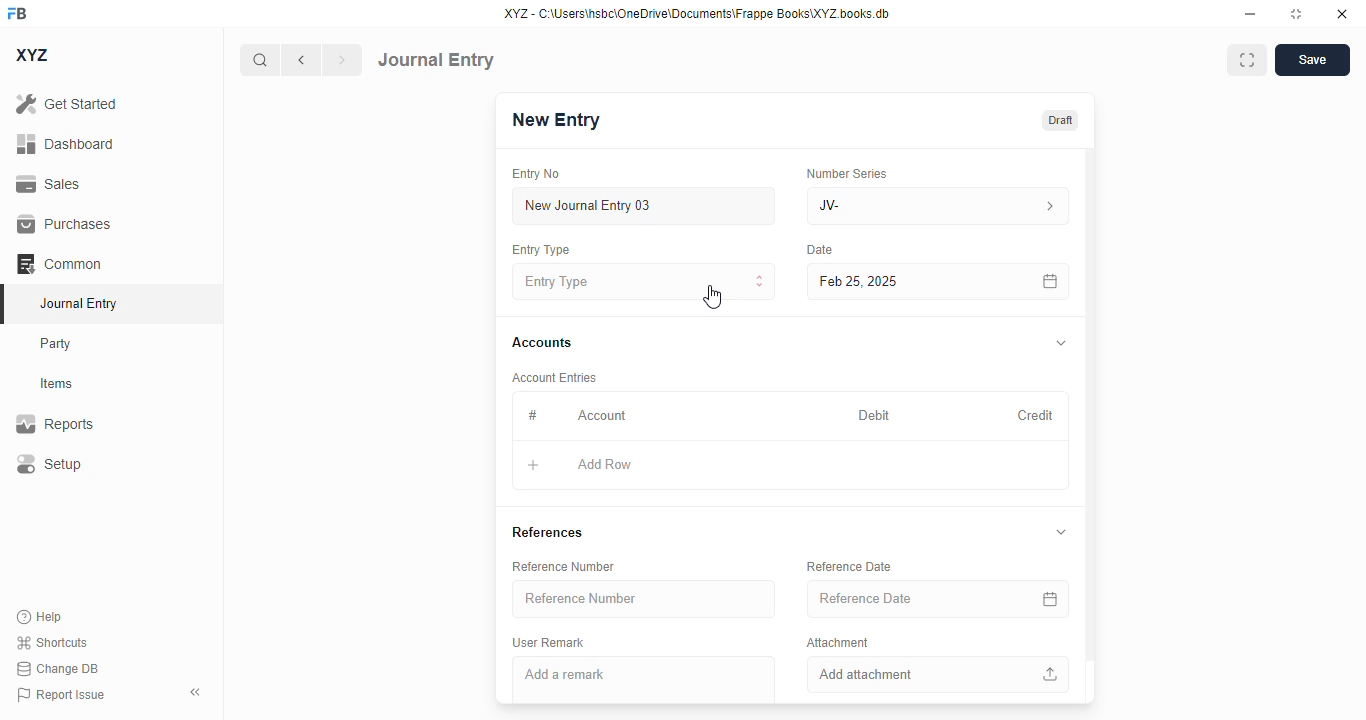 This screenshot has height=720, width=1366. I want to click on number series information, so click(1048, 207).